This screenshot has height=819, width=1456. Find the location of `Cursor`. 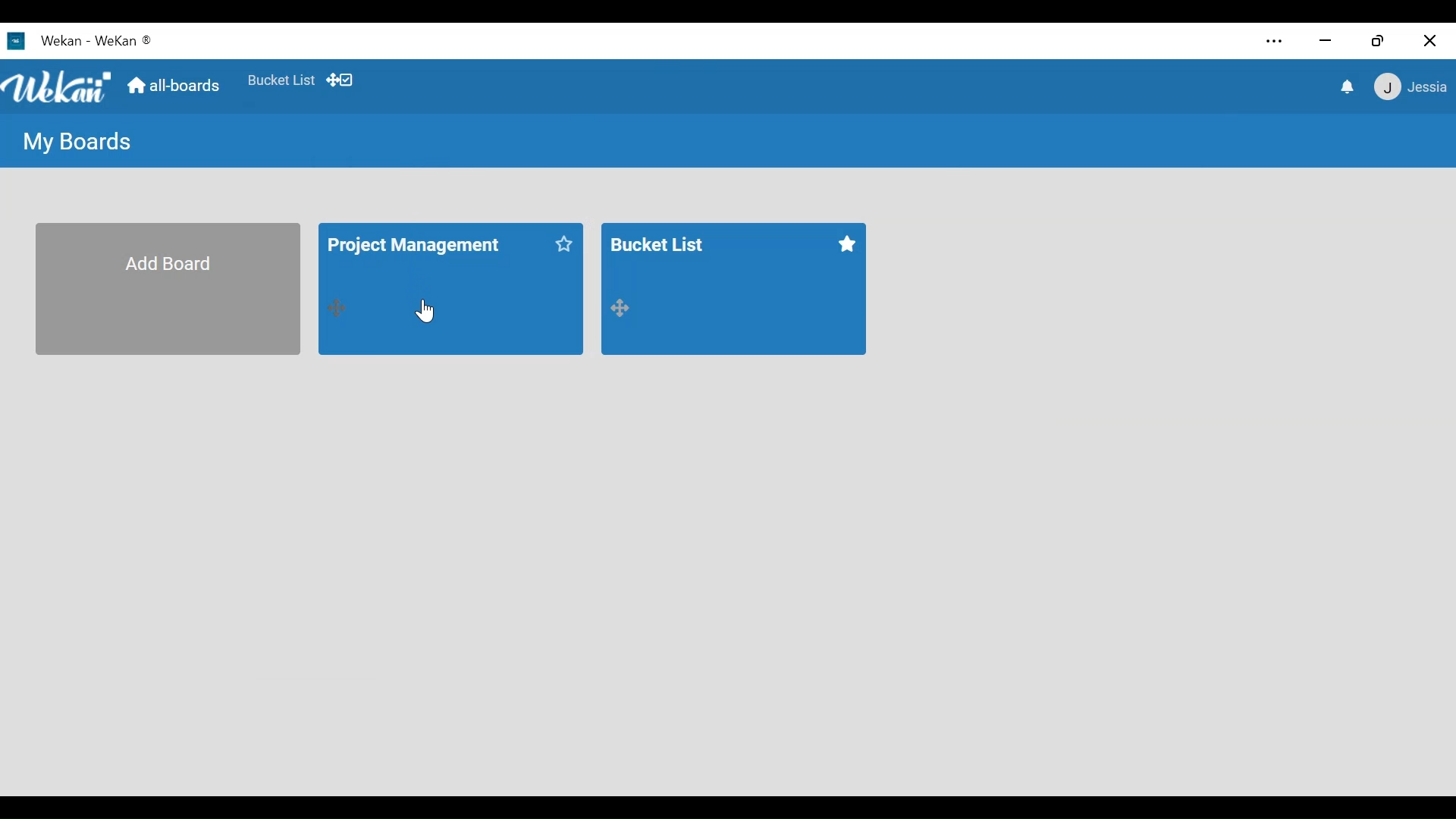

Cursor is located at coordinates (425, 310).